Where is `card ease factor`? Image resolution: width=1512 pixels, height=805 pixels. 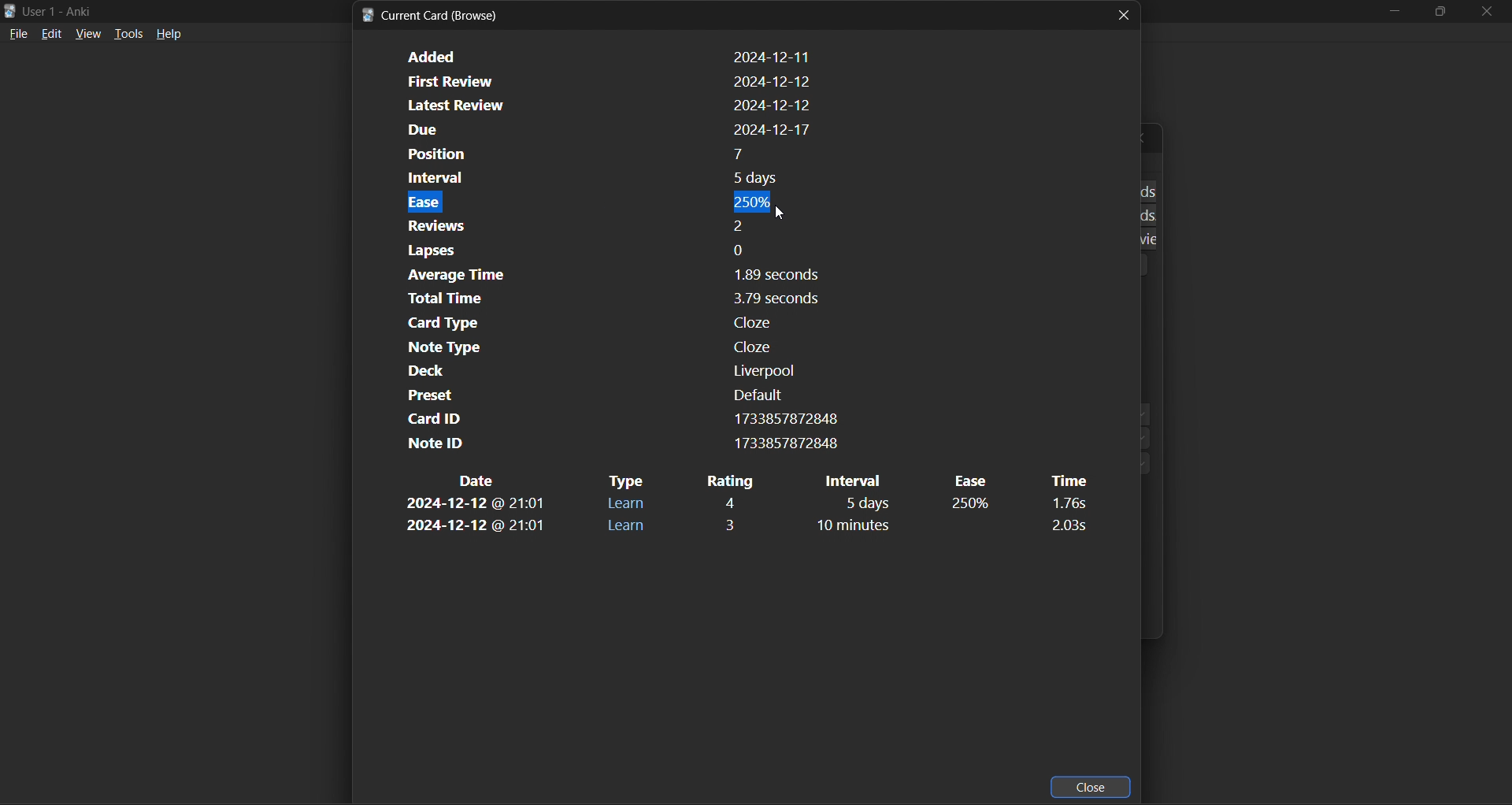
card ease factor is located at coordinates (604, 201).